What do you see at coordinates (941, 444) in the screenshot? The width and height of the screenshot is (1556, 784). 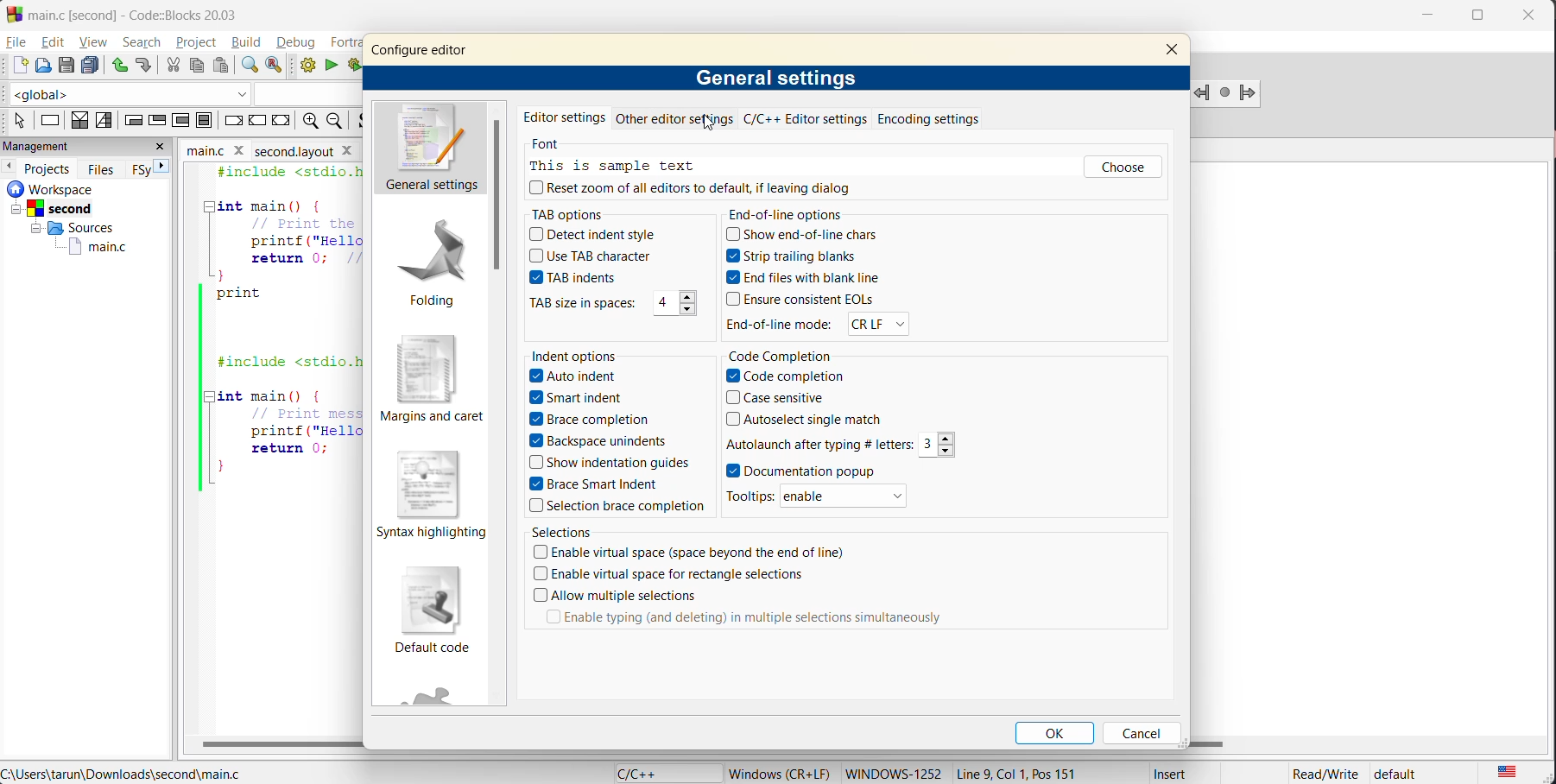 I see `3` at bounding box center [941, 444].